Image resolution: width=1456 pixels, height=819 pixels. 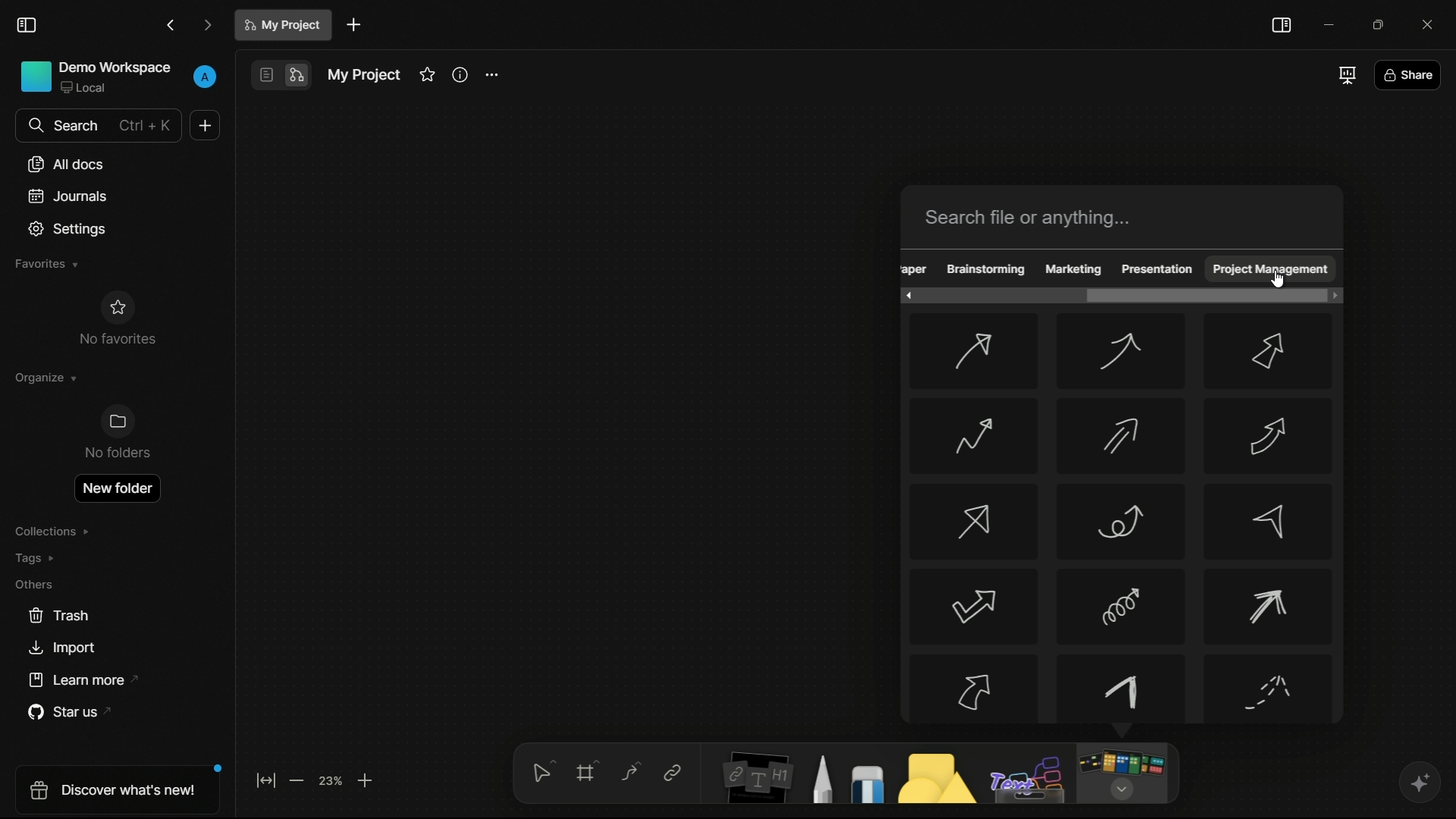 What do you see at coordinates (1407, 77) in the screenshot?
I see `share` at bounding box center [1407, 77].